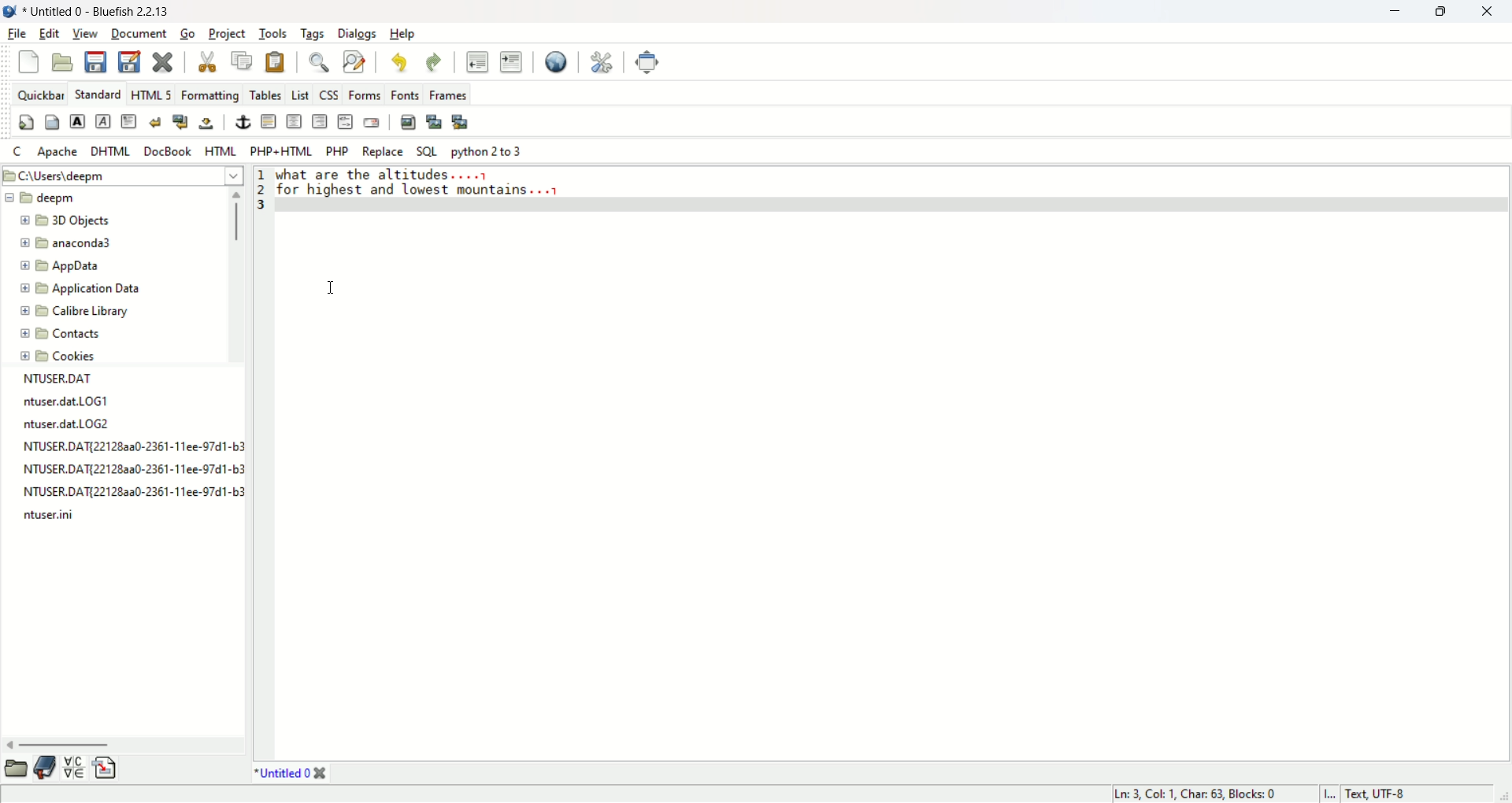 The height and width of the screenshot is (803, 1512). Describe the element at coordinates (1197, 794) in the screenshot. I see `ln, col, char, blocks` at that location.